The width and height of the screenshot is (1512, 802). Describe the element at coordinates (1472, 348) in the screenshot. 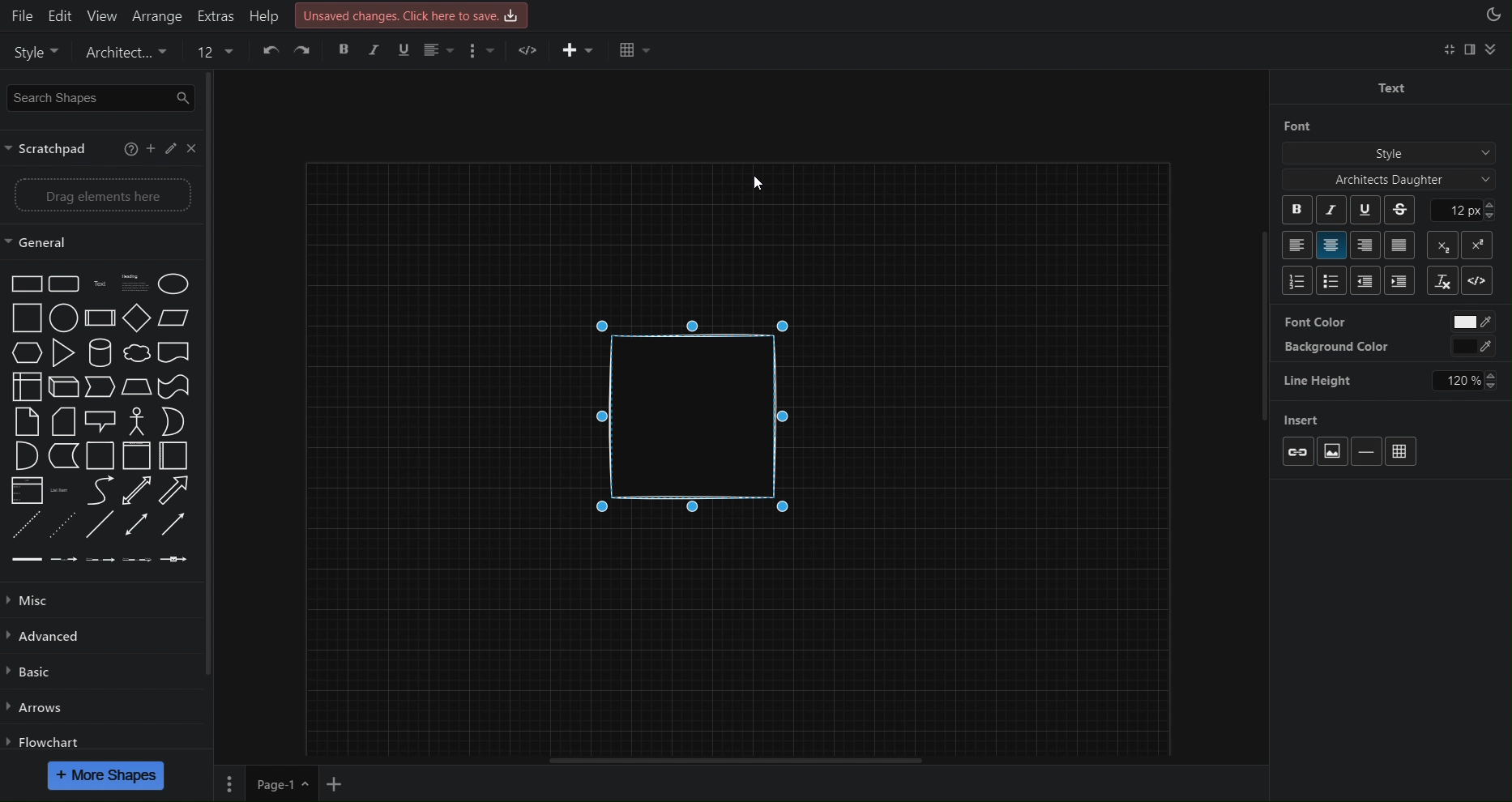

I see `Black color` at that location.